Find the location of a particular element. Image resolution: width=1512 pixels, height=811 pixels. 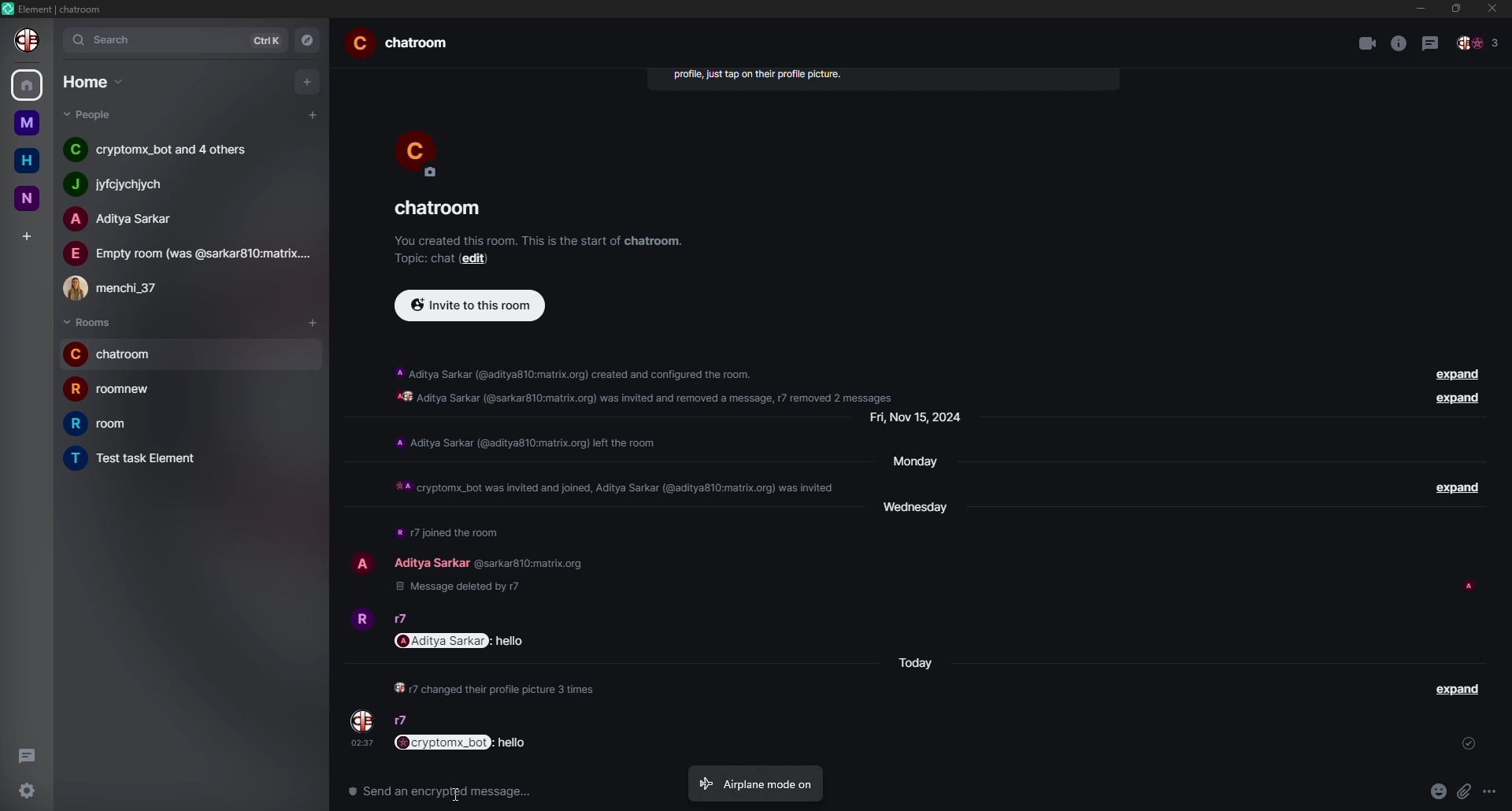

max is located at coordinates (1455, 9).